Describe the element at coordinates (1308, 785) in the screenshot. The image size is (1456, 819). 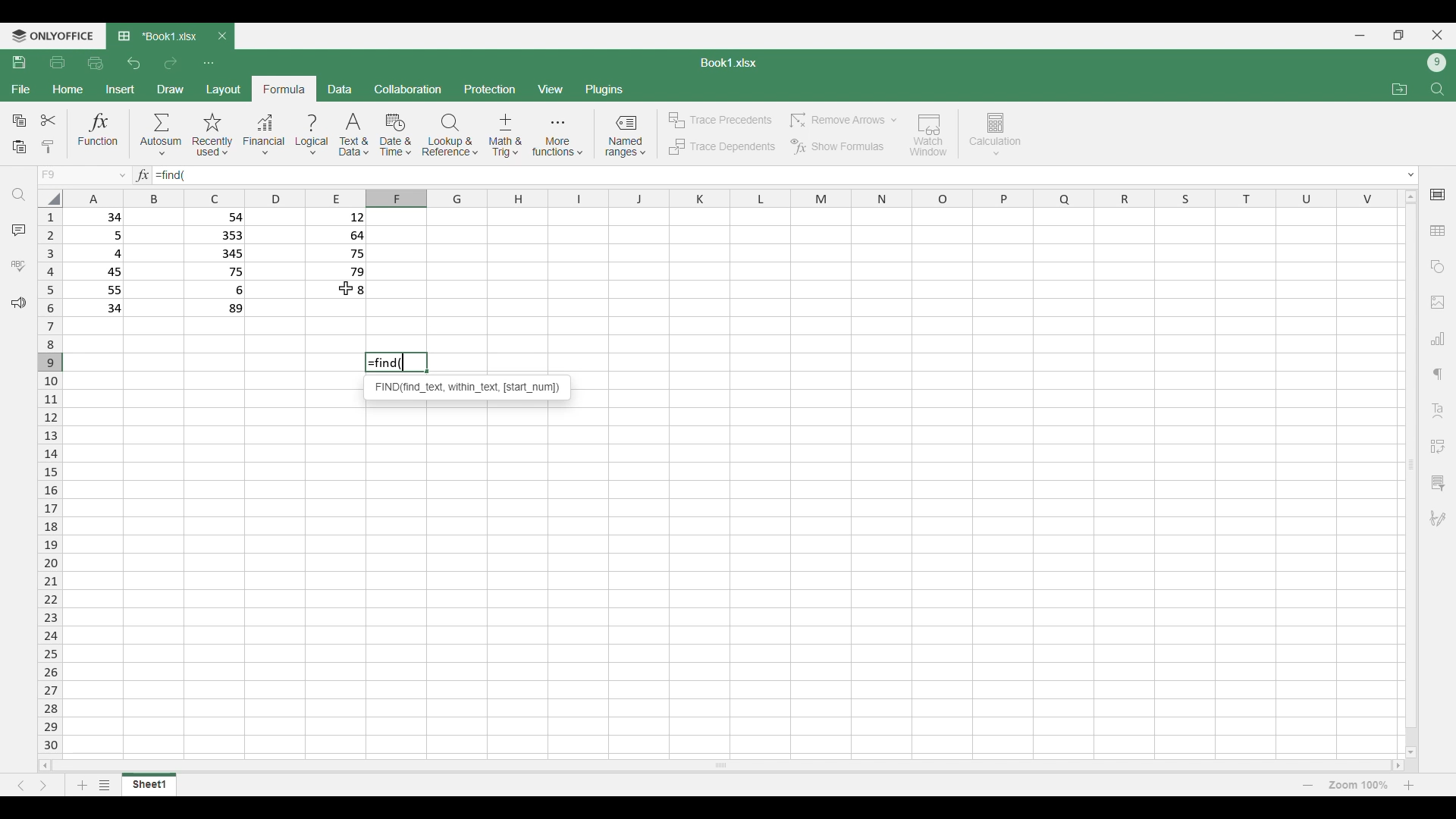
I see `Zoom out` at that location.